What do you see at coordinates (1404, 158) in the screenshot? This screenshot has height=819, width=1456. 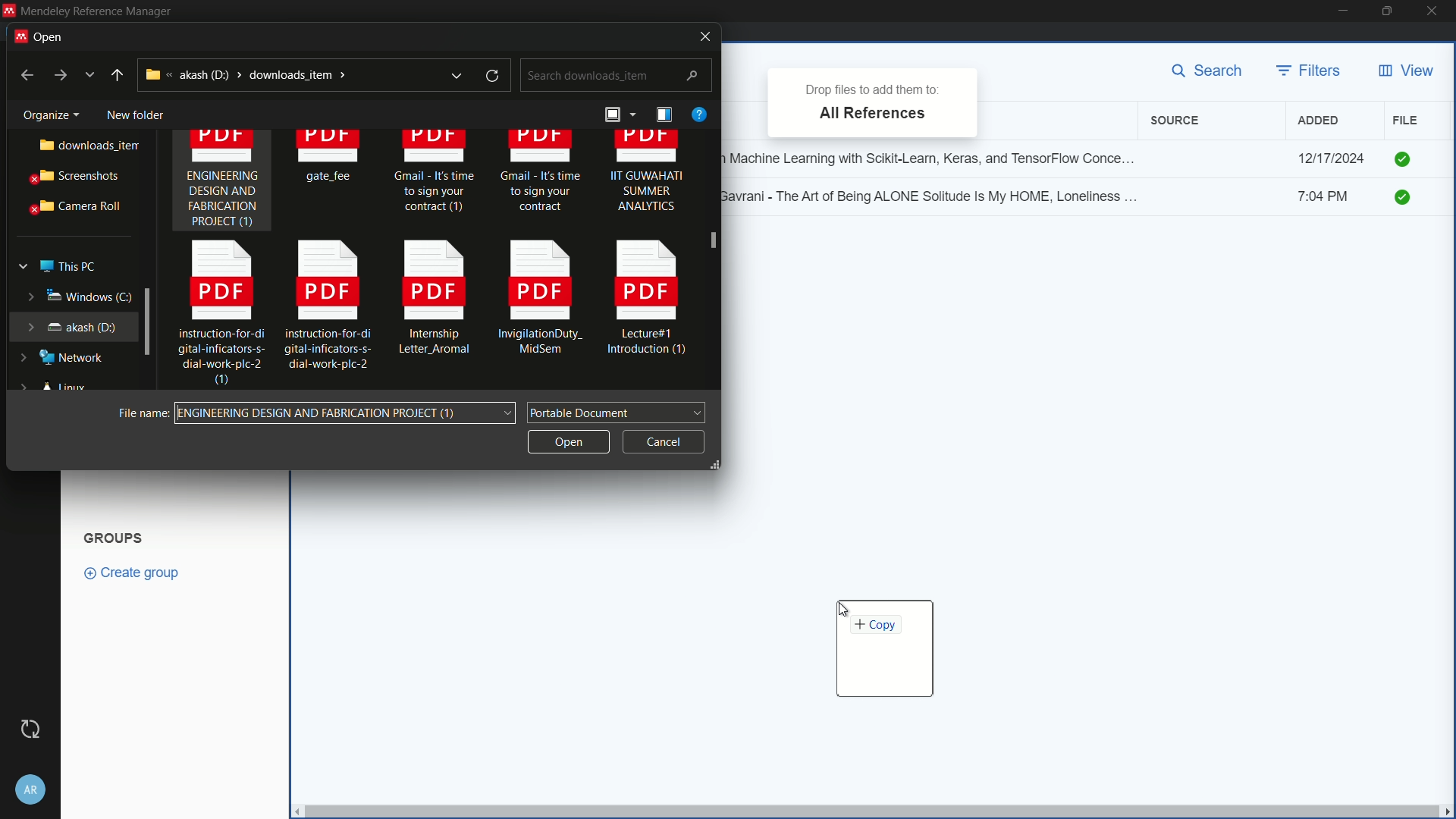 I see `check` at bounding box center [1404, 158].